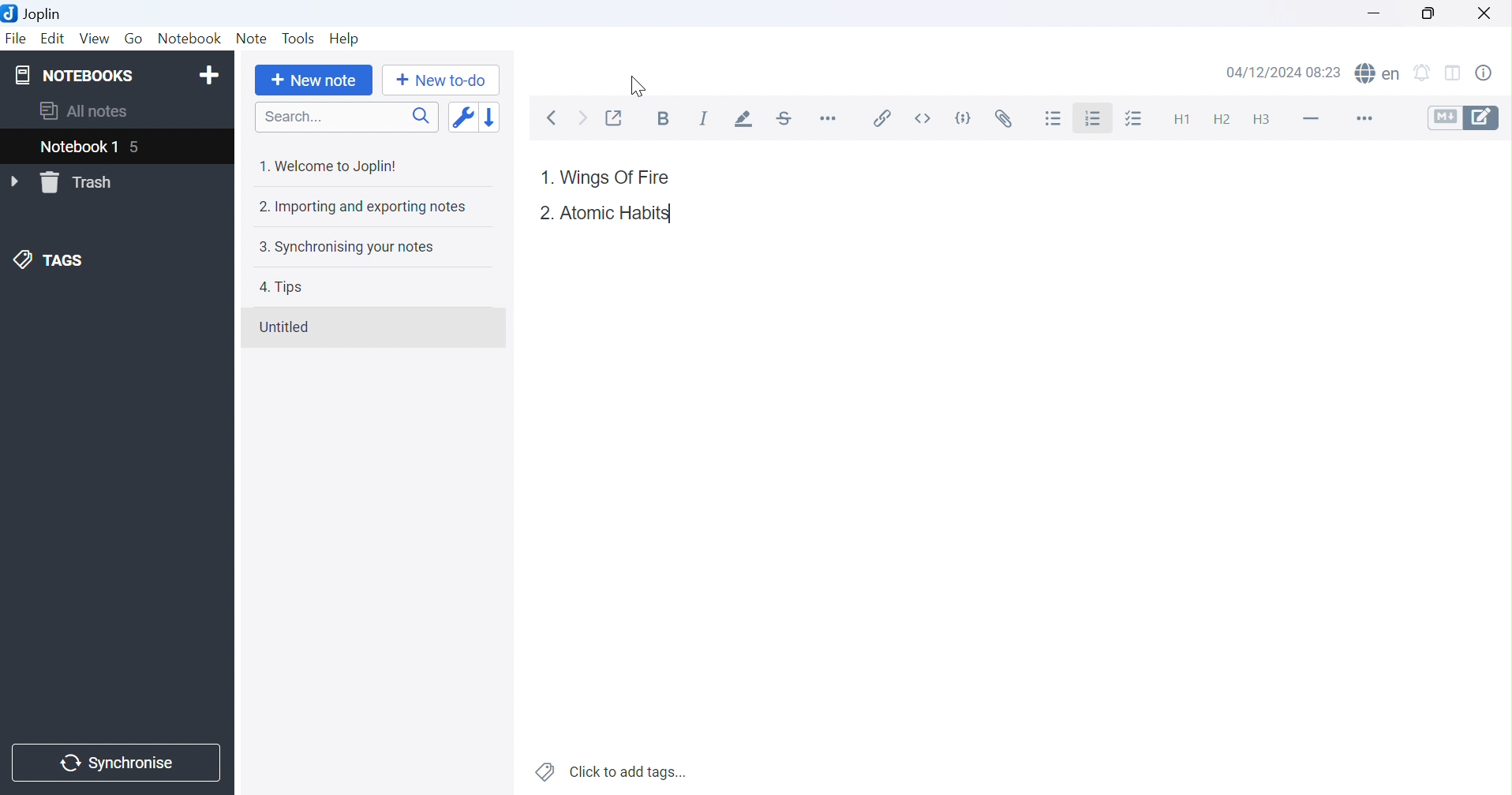  I want to click on numbered list, so click(1098, 121).